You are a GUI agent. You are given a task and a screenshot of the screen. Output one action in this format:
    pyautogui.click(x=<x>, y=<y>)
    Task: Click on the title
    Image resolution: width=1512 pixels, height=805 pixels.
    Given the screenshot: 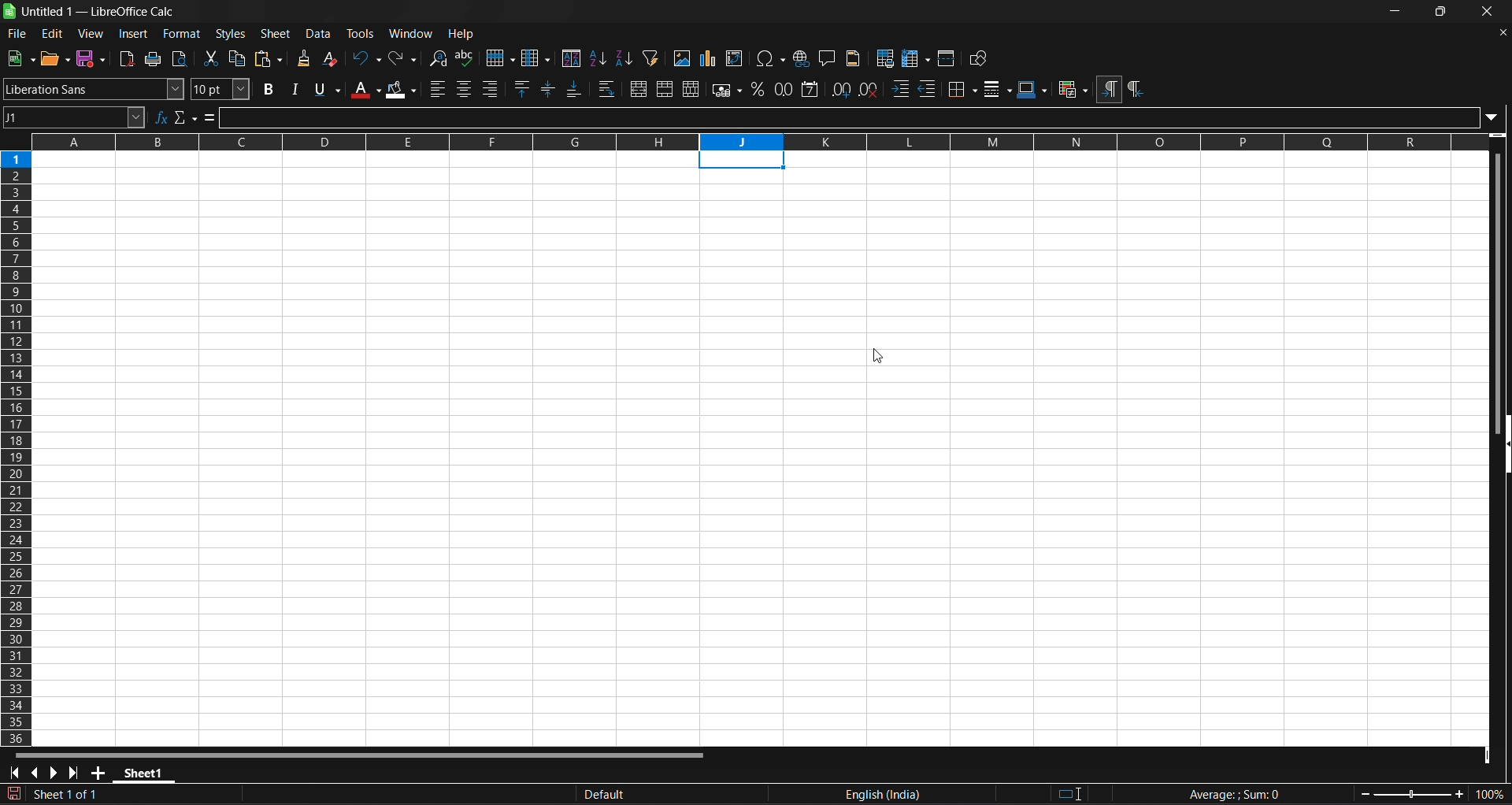 What is the action you would take?
    pyautogui.click(x=98, y=11)
    